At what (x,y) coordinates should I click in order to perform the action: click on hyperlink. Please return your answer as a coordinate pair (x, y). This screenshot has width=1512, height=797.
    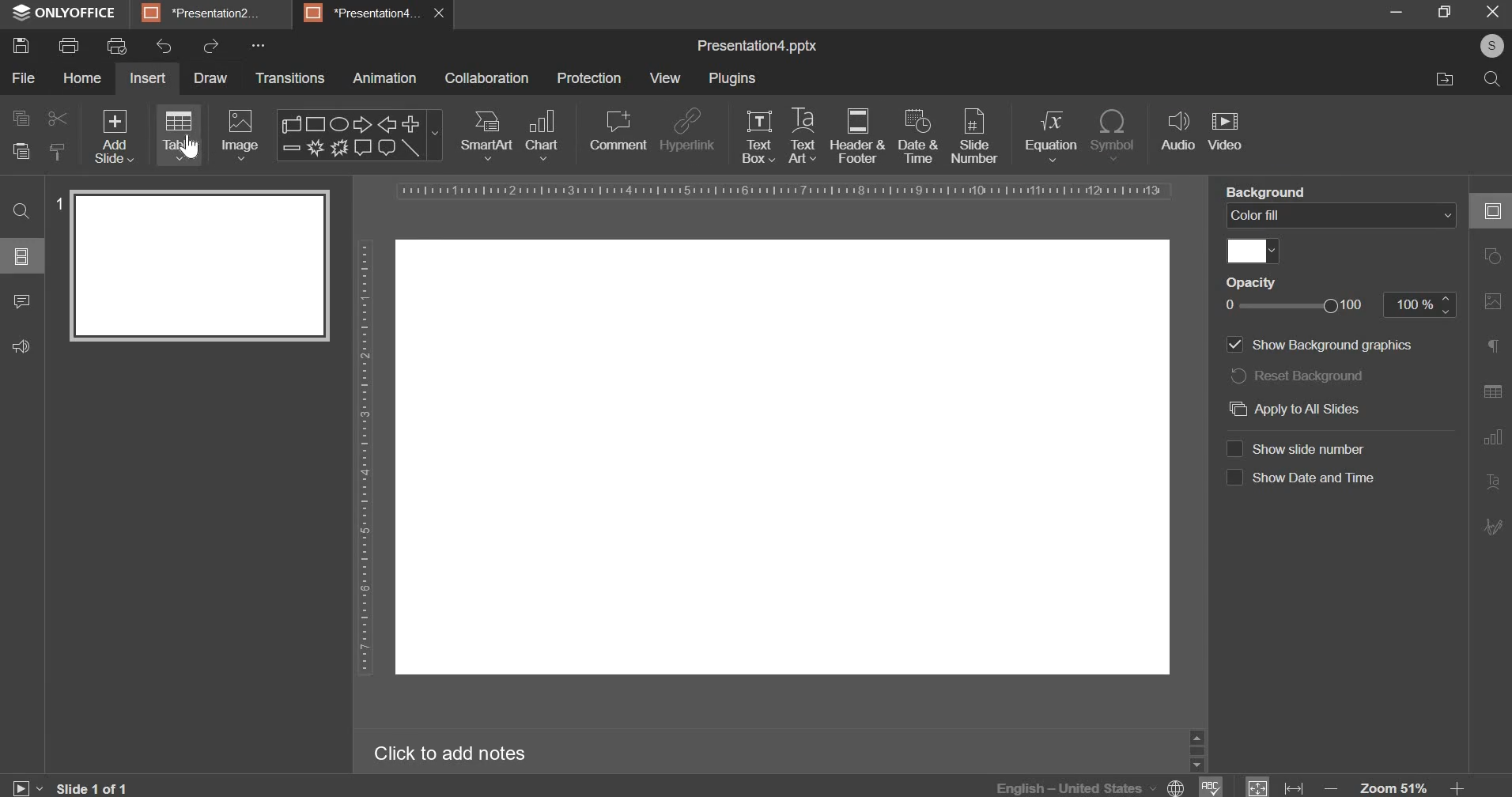
    Looking at the image, I should click on (687, 130).